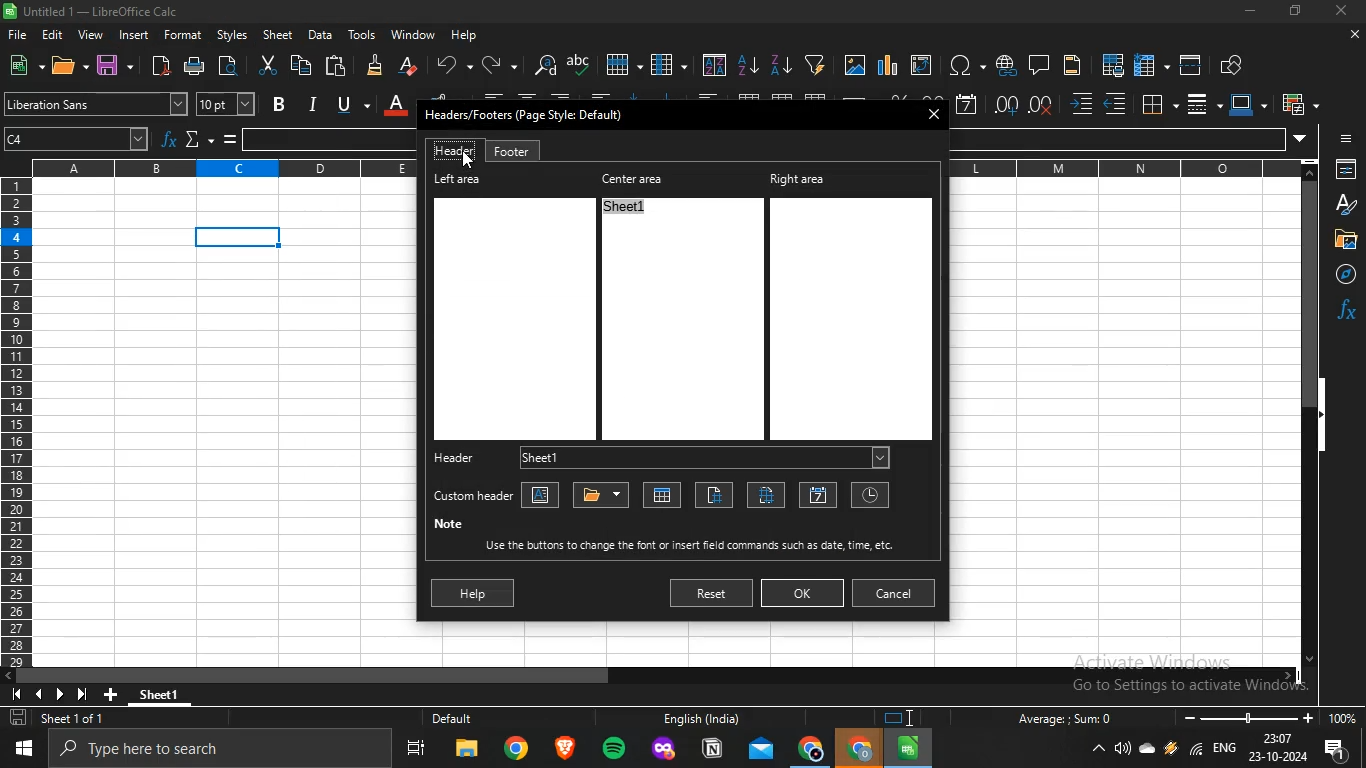  I want to click on select function, so click(194, 140).